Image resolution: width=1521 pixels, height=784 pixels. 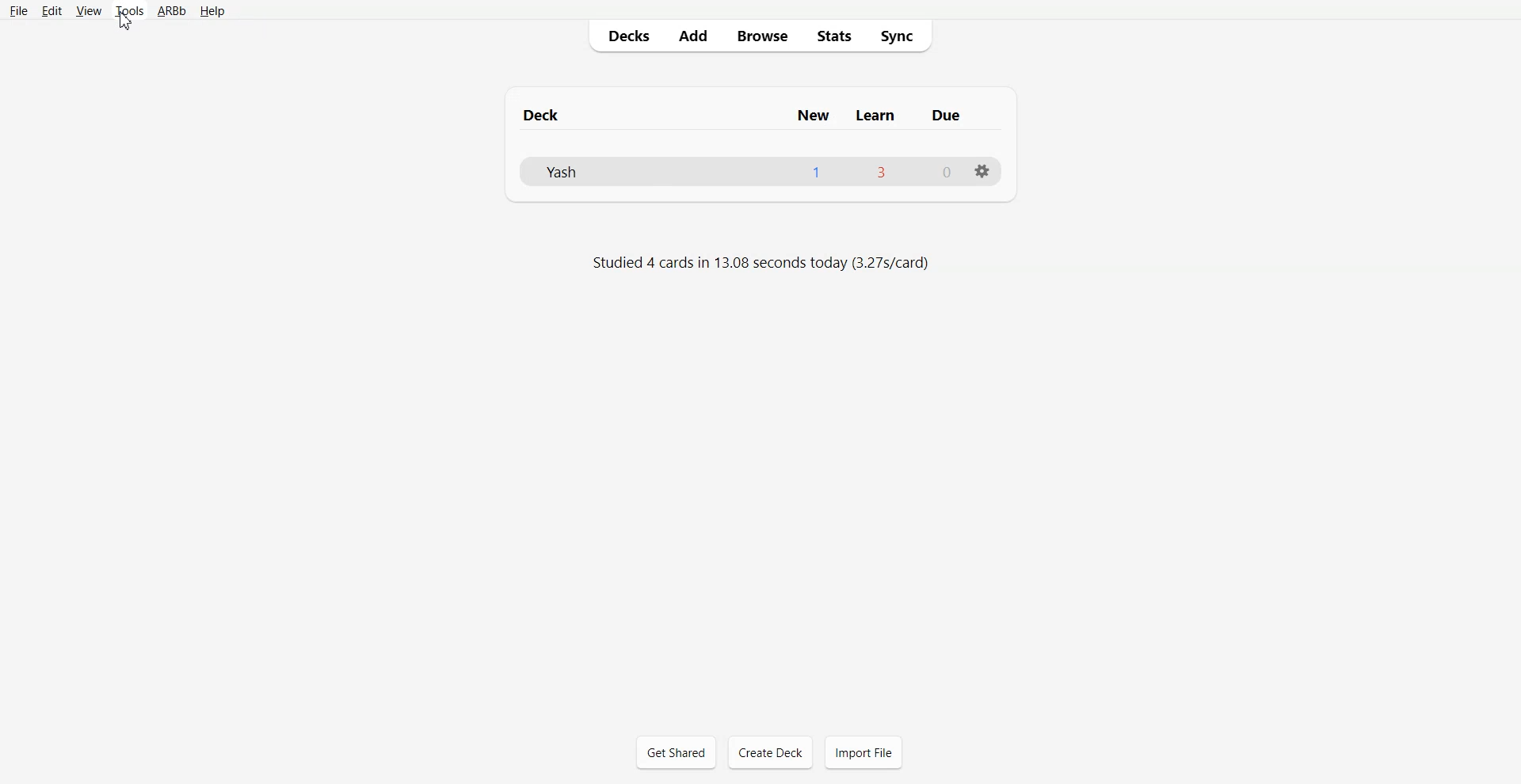 I want to click on Decks , so click(x=626, y=35).